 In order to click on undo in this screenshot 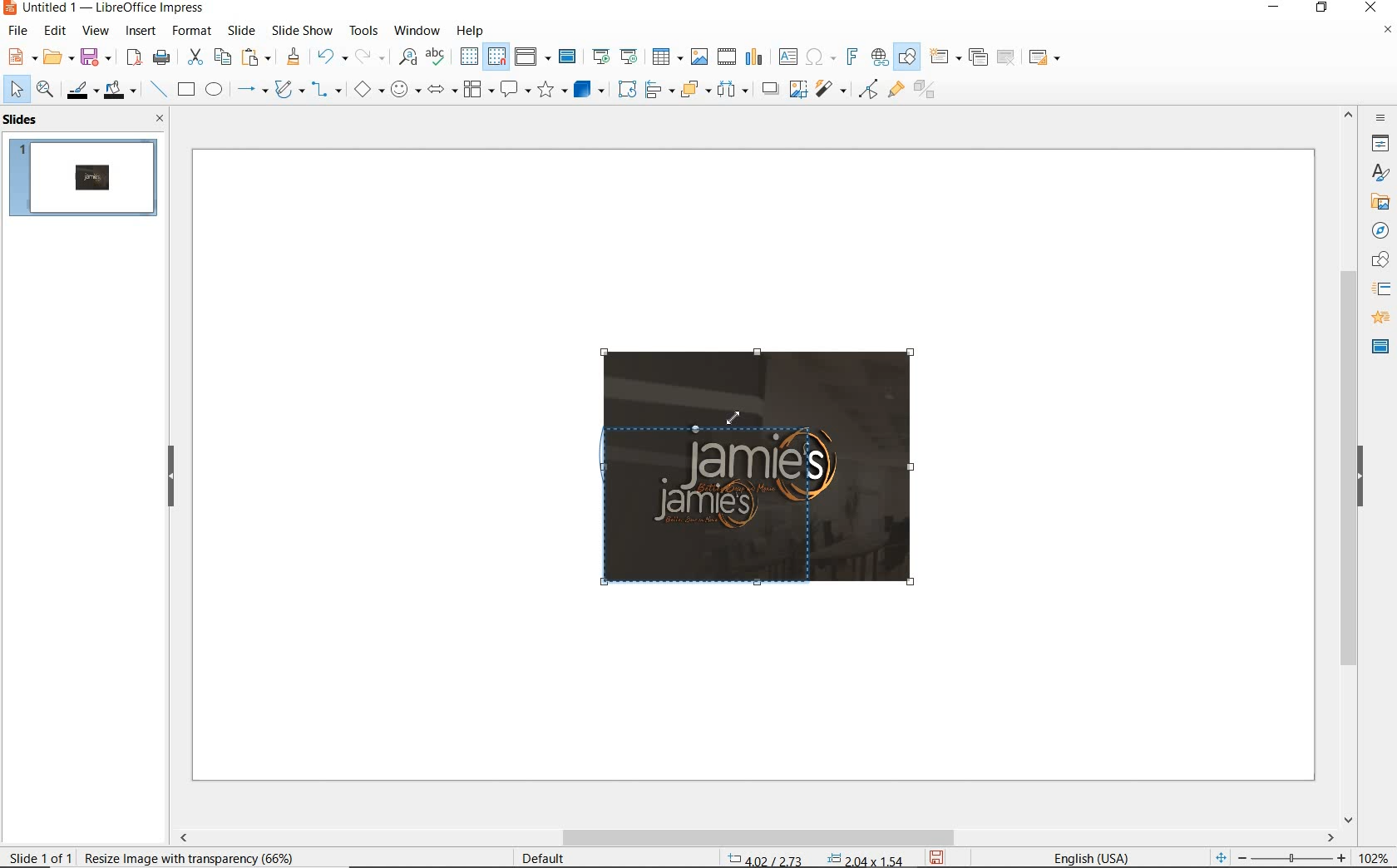, I will do `click(329, 58)`.